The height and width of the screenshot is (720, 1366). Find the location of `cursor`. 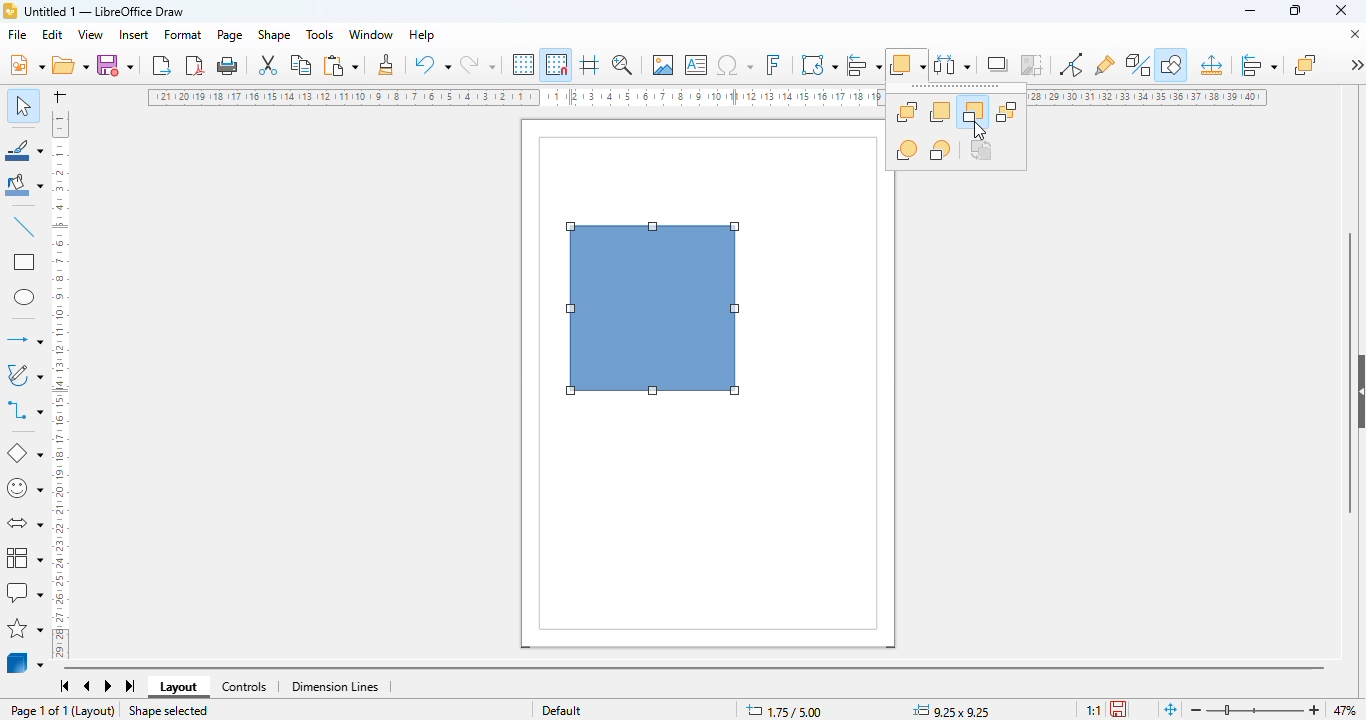

cursor is located at coordinates (979, 130).